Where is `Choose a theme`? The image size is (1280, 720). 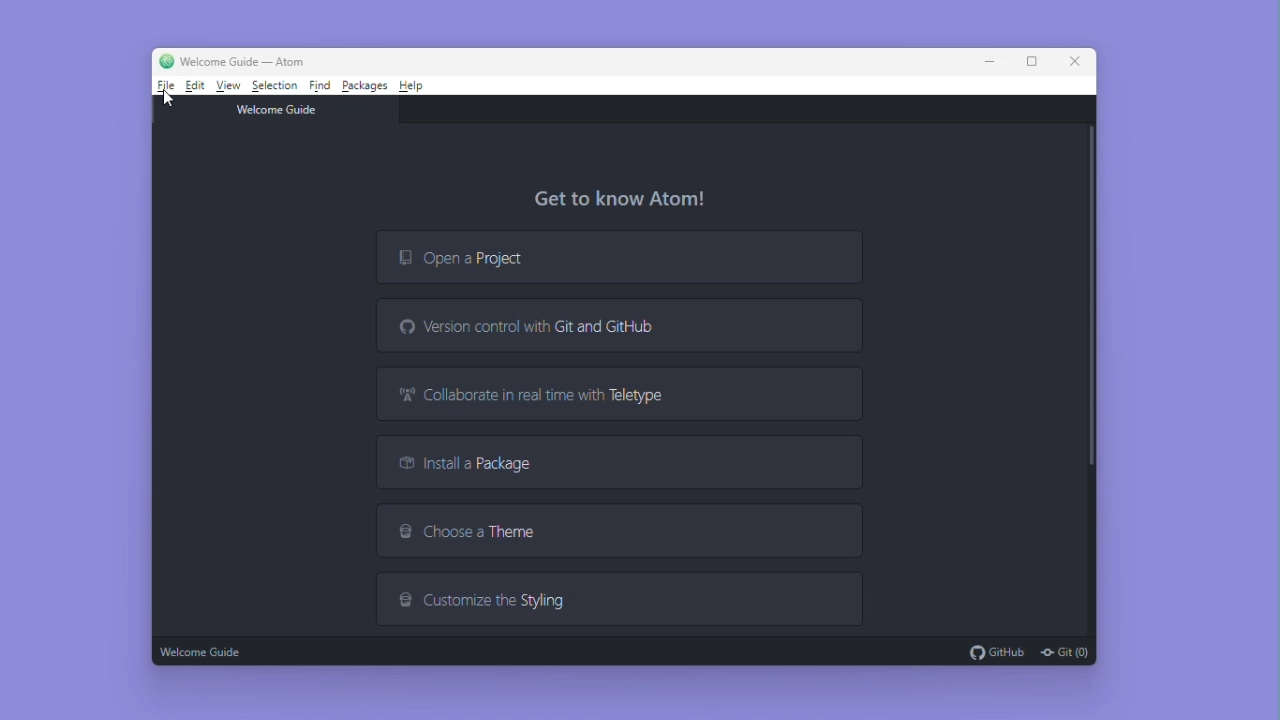
Choose a theme is located at coordinates (618, 532).